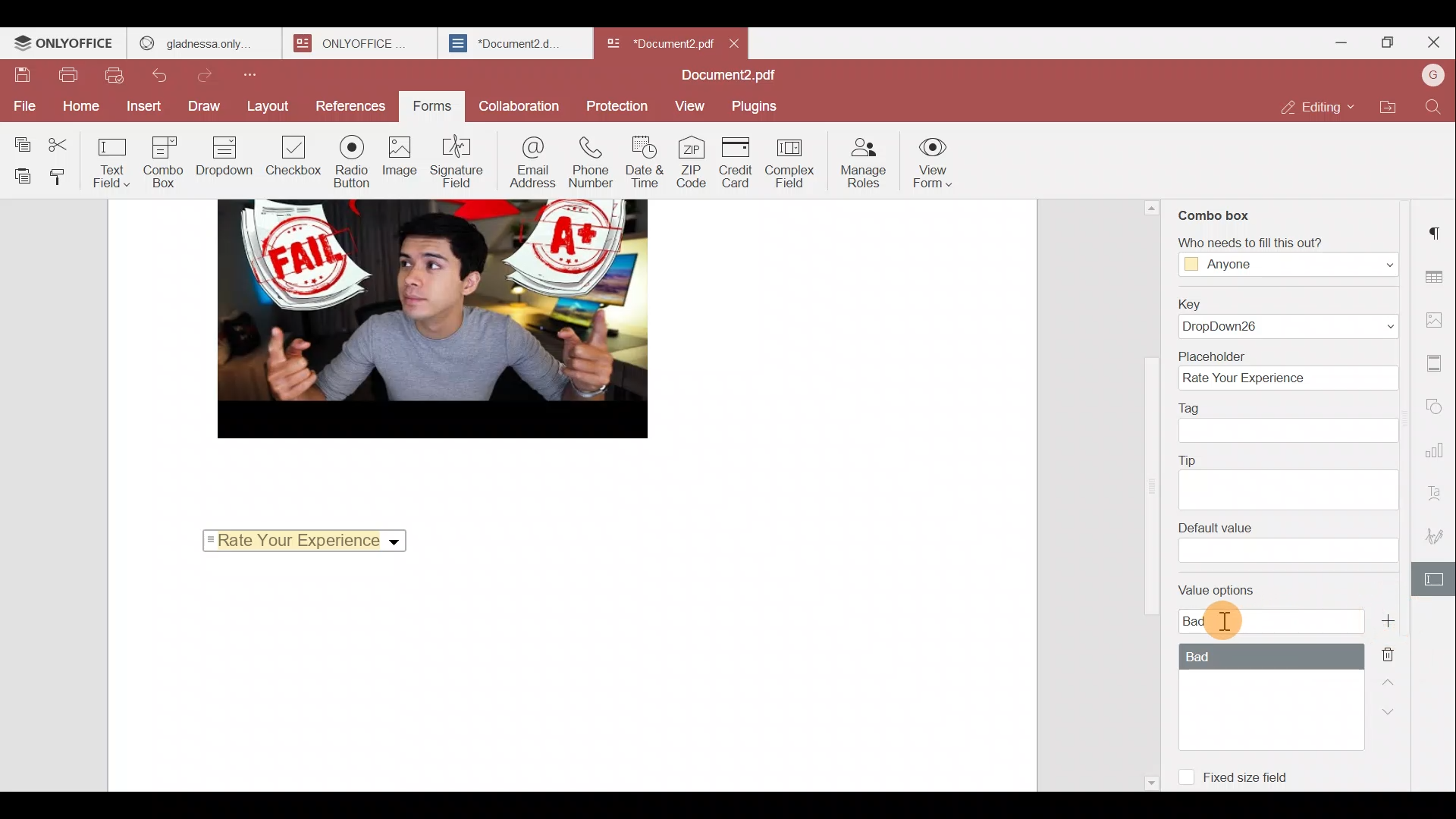  Describe the element at coordinates (1329, 45) in the screenshot. I see `Minimize` at that location.